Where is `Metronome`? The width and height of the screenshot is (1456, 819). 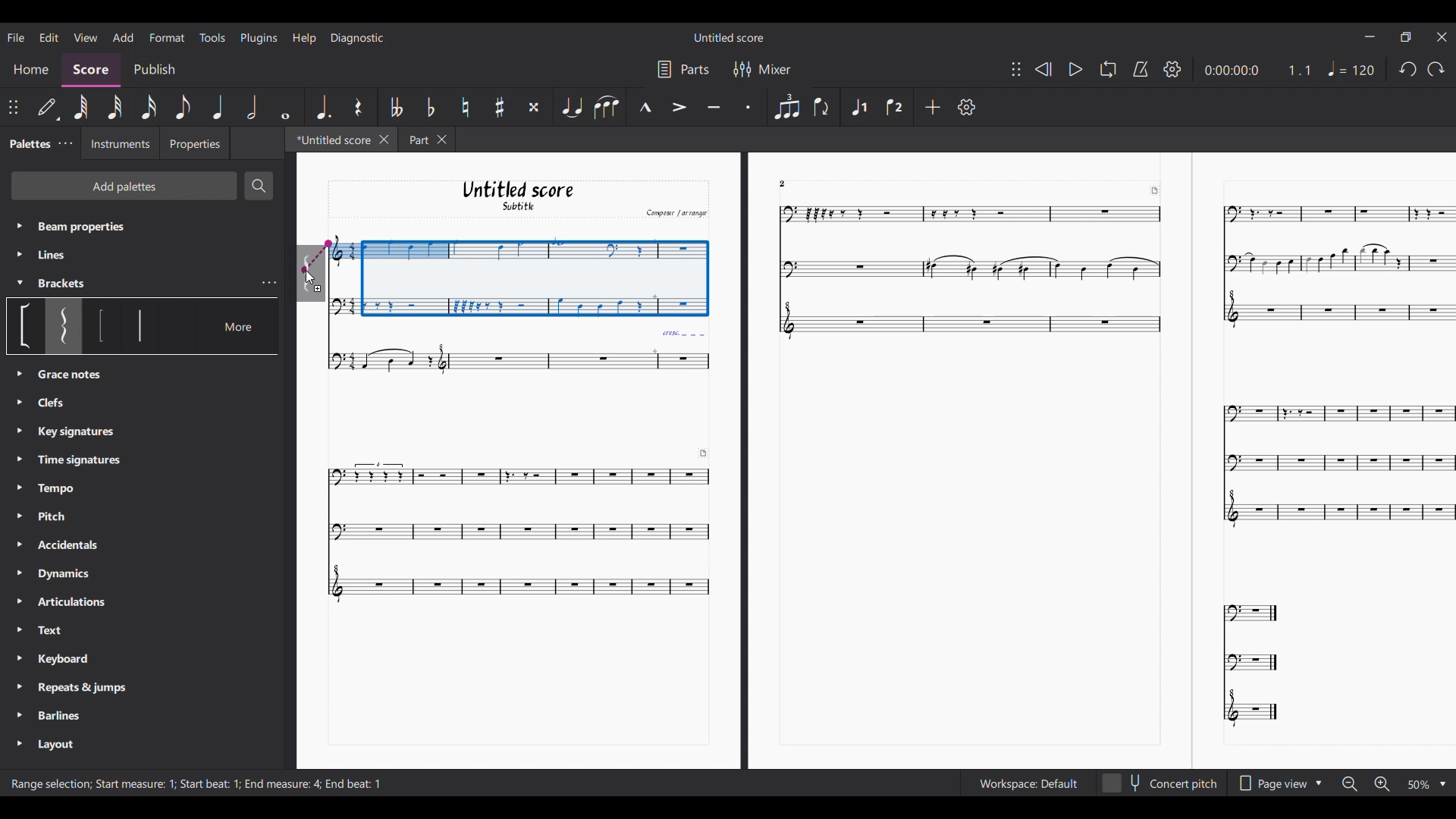 Metronome is located at coordinates (1141, 69).